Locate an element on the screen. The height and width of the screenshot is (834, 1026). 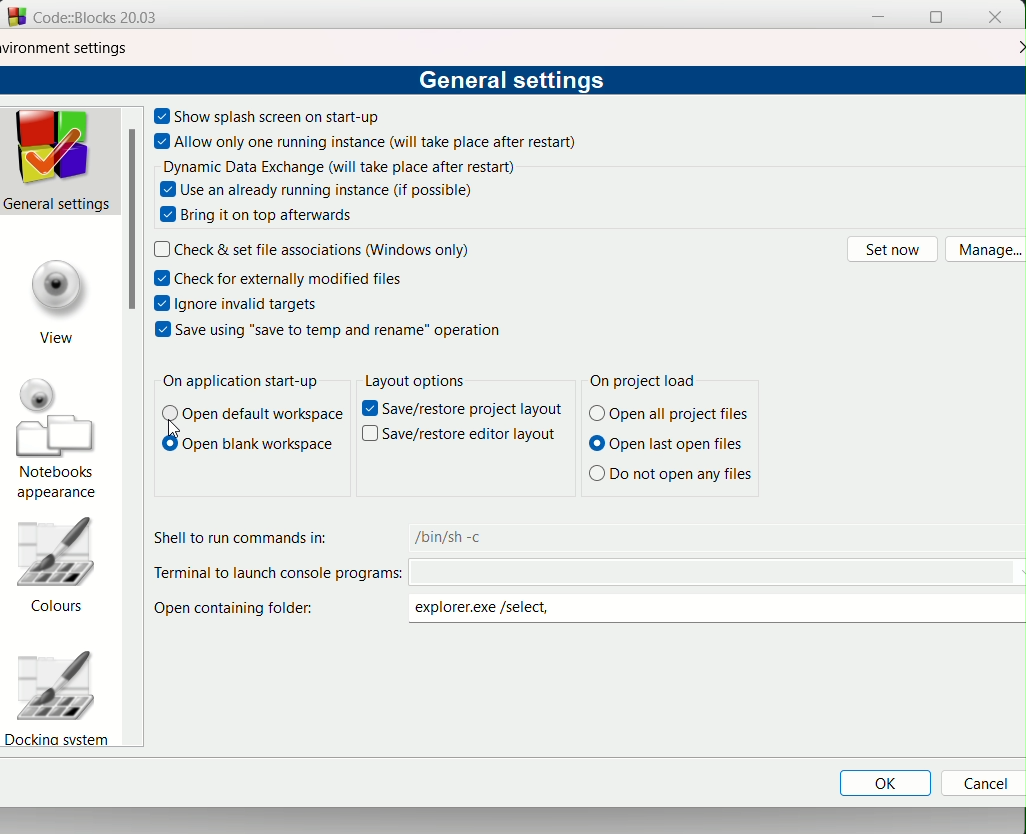
Terminal to launch console prog is located at coordinates (273, 574).